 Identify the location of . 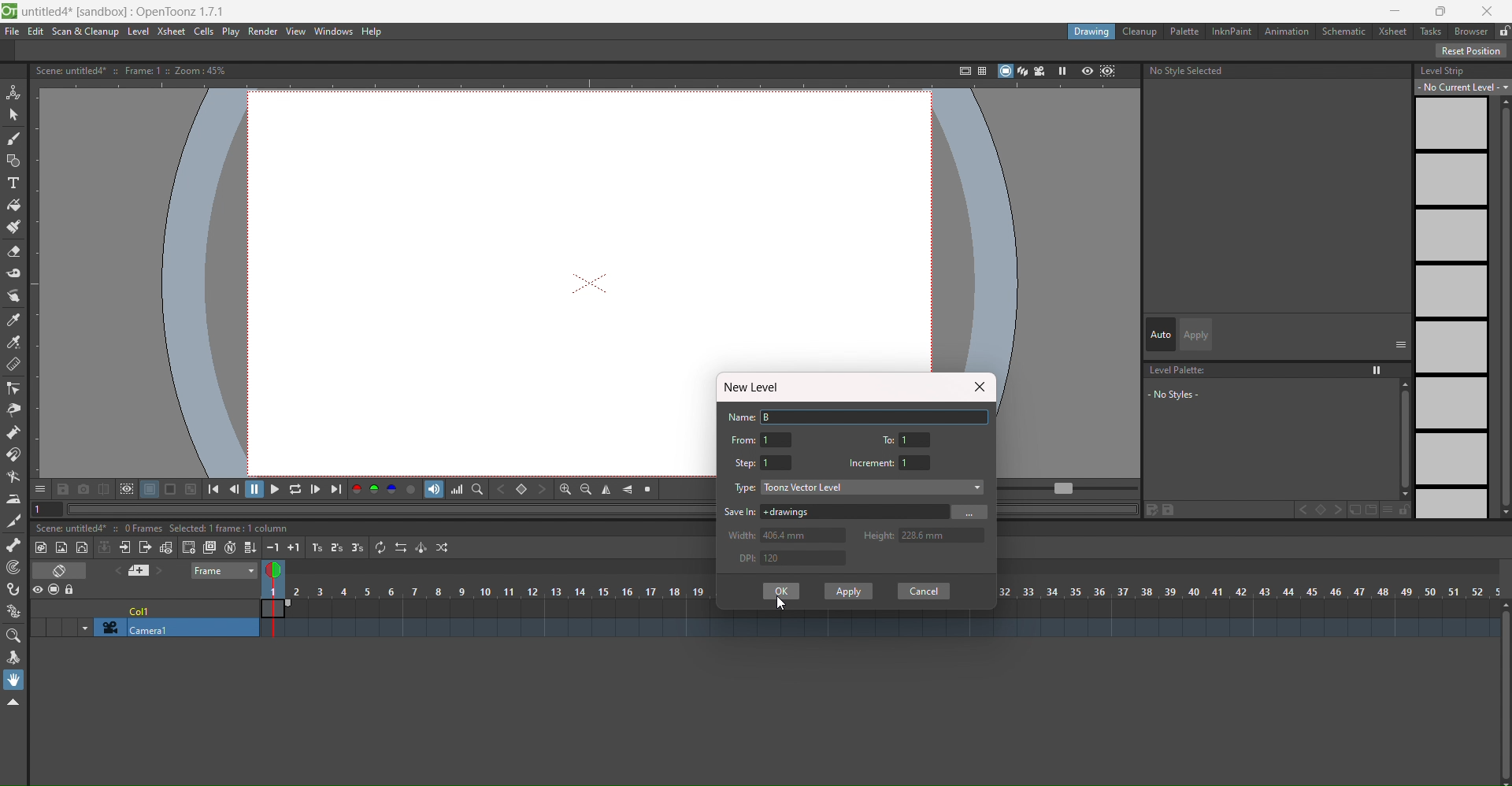
(627, 489).